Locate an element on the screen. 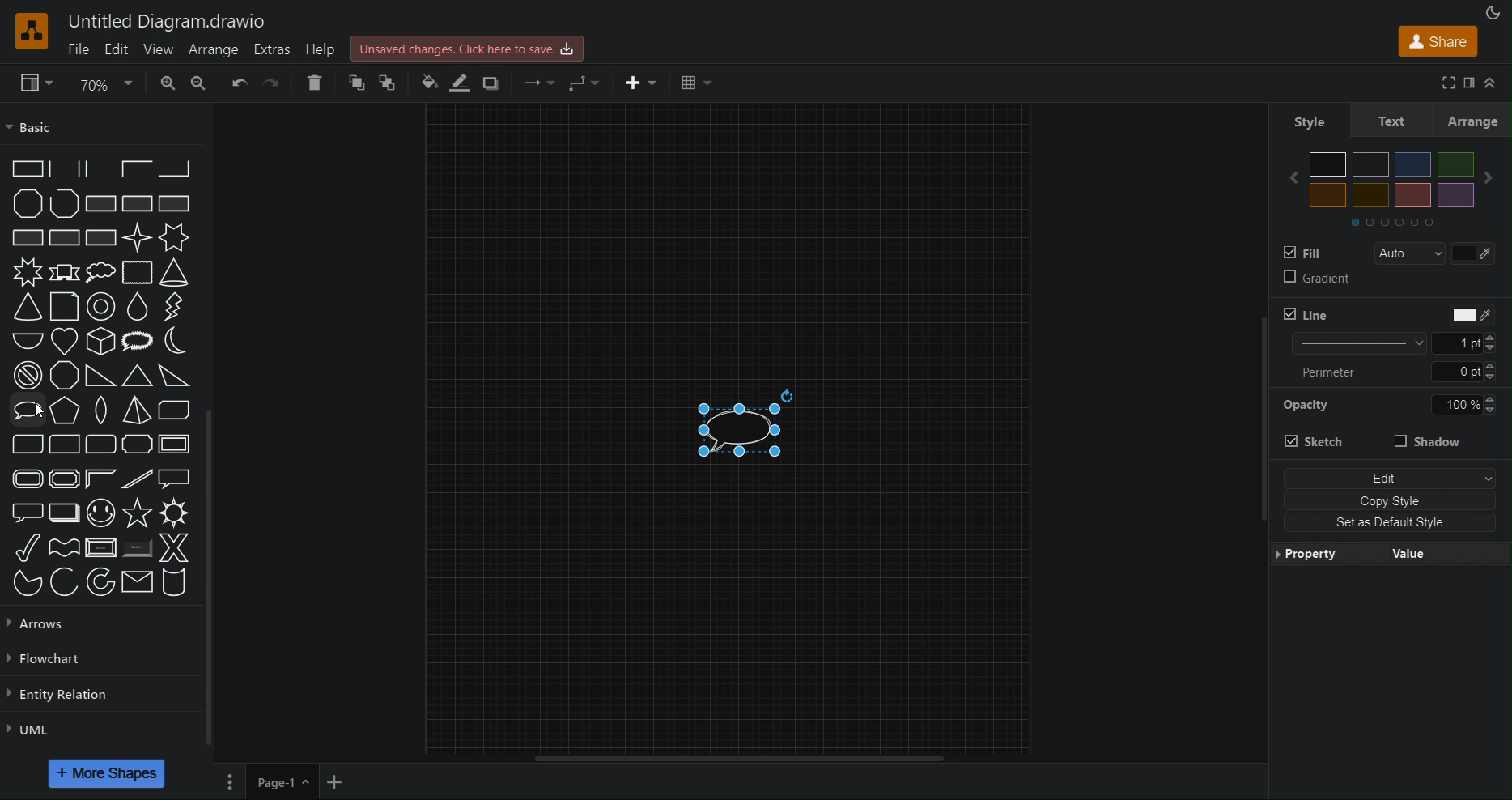 The height and width of the screenshot is (800, 1512). Logo is located at coordinates (32, 30).